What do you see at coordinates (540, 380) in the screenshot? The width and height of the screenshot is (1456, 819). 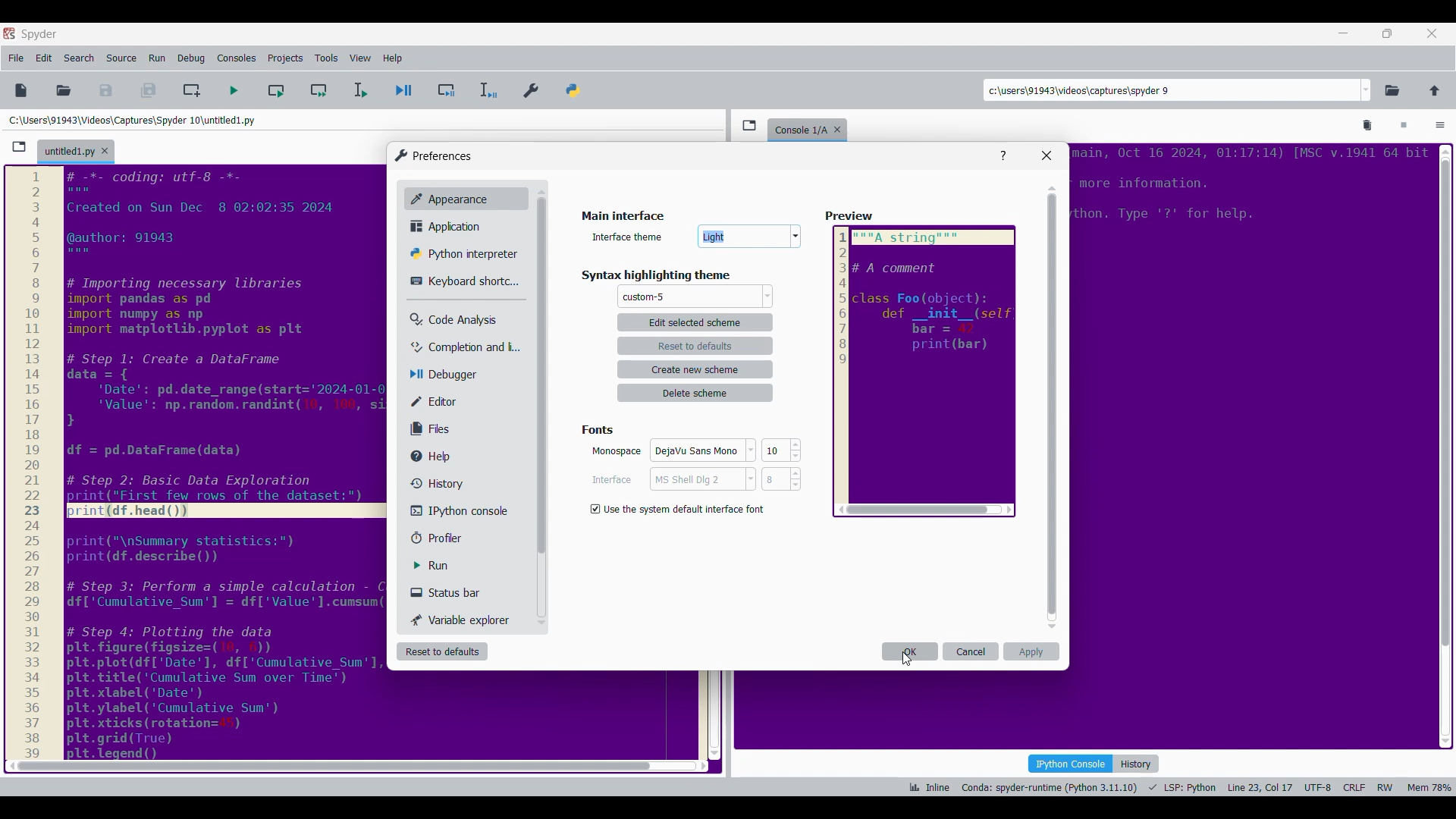 I see `` at bounding box center [540, 380].